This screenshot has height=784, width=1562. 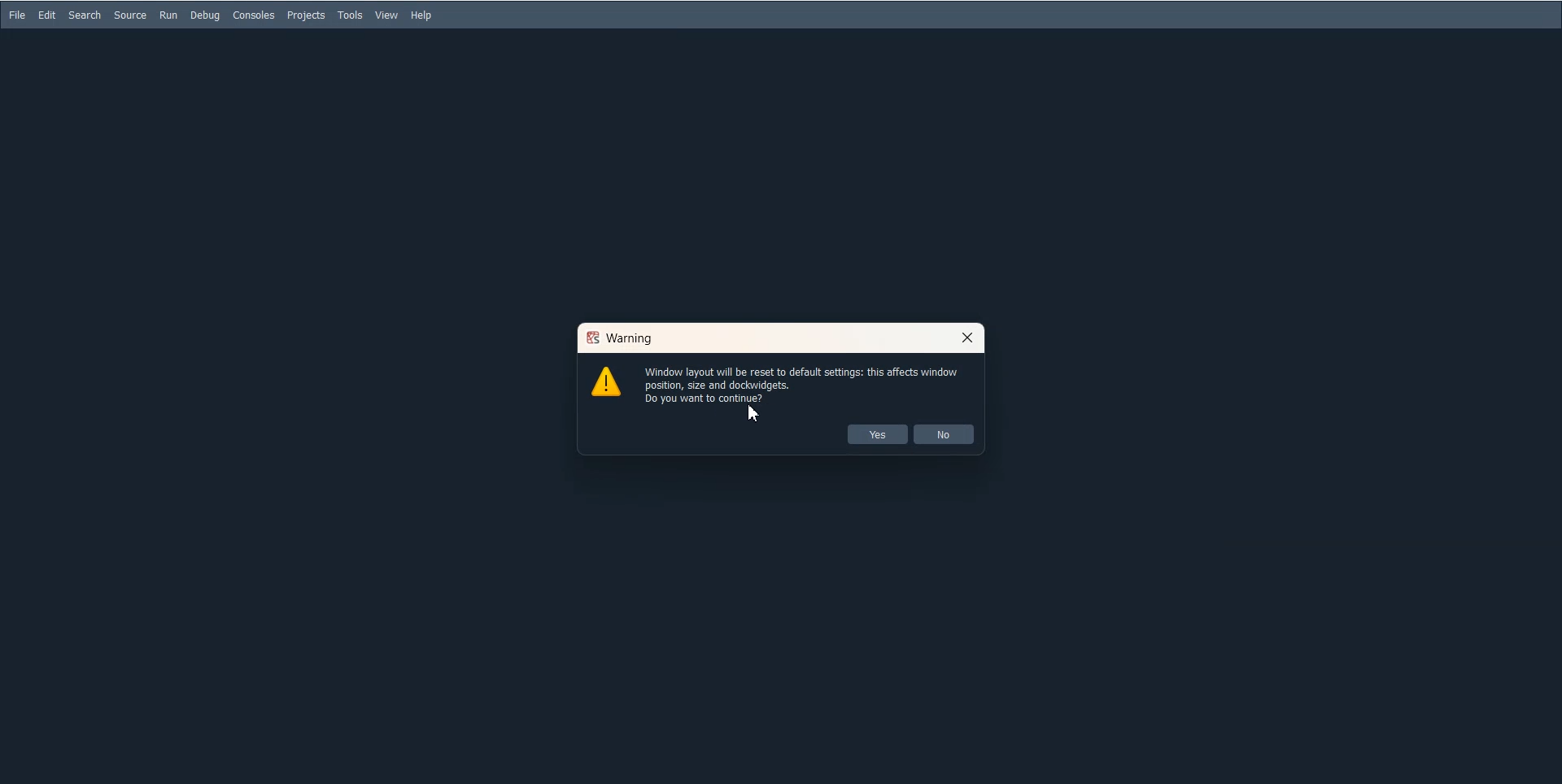 What do you see at coordinates (809, 383) in the screenshot?
I see `‘Window layout will be reset to default settings: this affects window
position, size and dockwidgets.
Do you want to continue?` at bounding box center [809, 383].